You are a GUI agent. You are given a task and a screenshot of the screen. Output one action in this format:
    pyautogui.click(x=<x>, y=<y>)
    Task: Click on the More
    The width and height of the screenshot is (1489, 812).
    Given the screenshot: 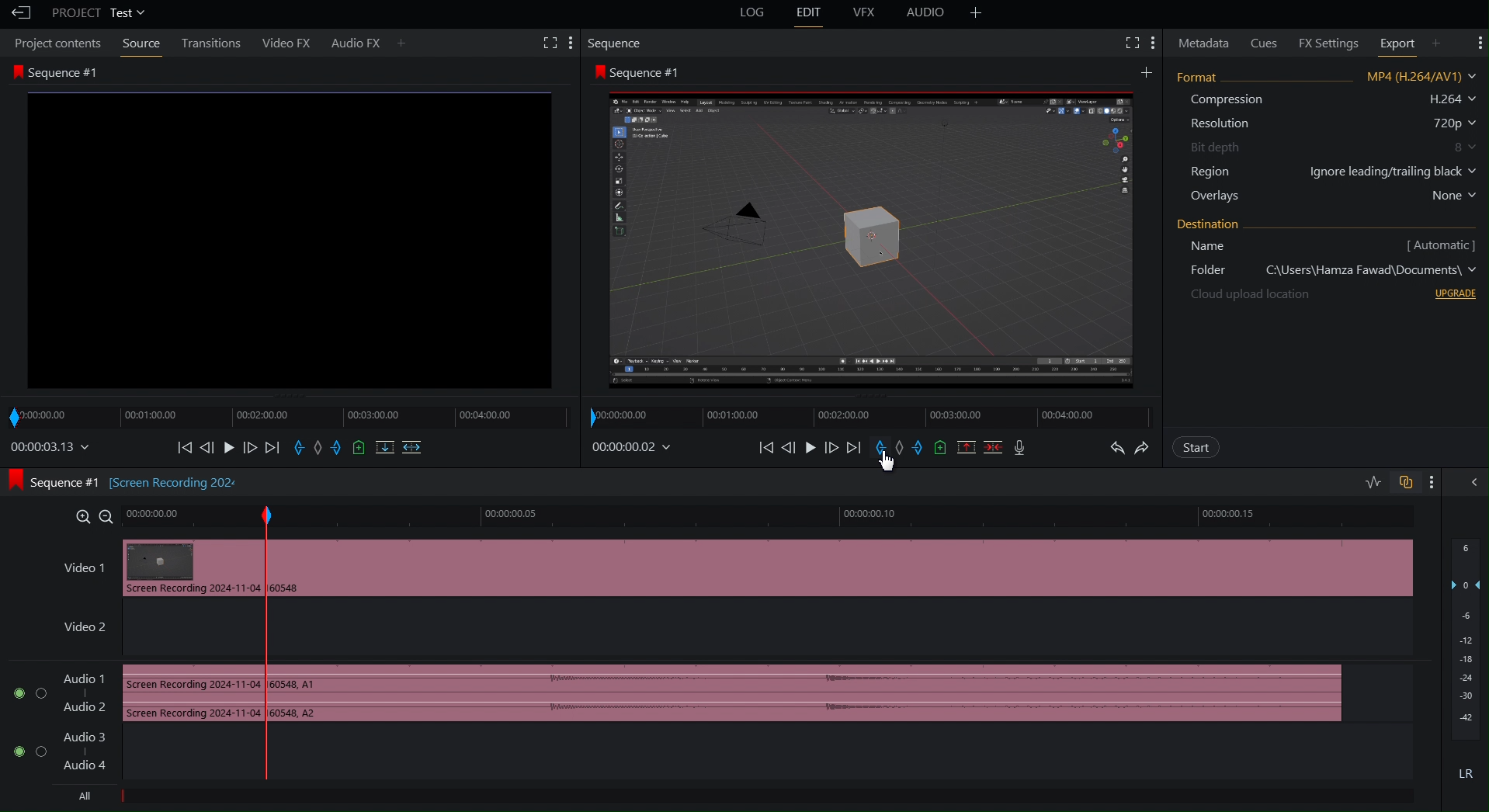 What is the action you would take?
    pyautogui.click(x=977, y=15)
    